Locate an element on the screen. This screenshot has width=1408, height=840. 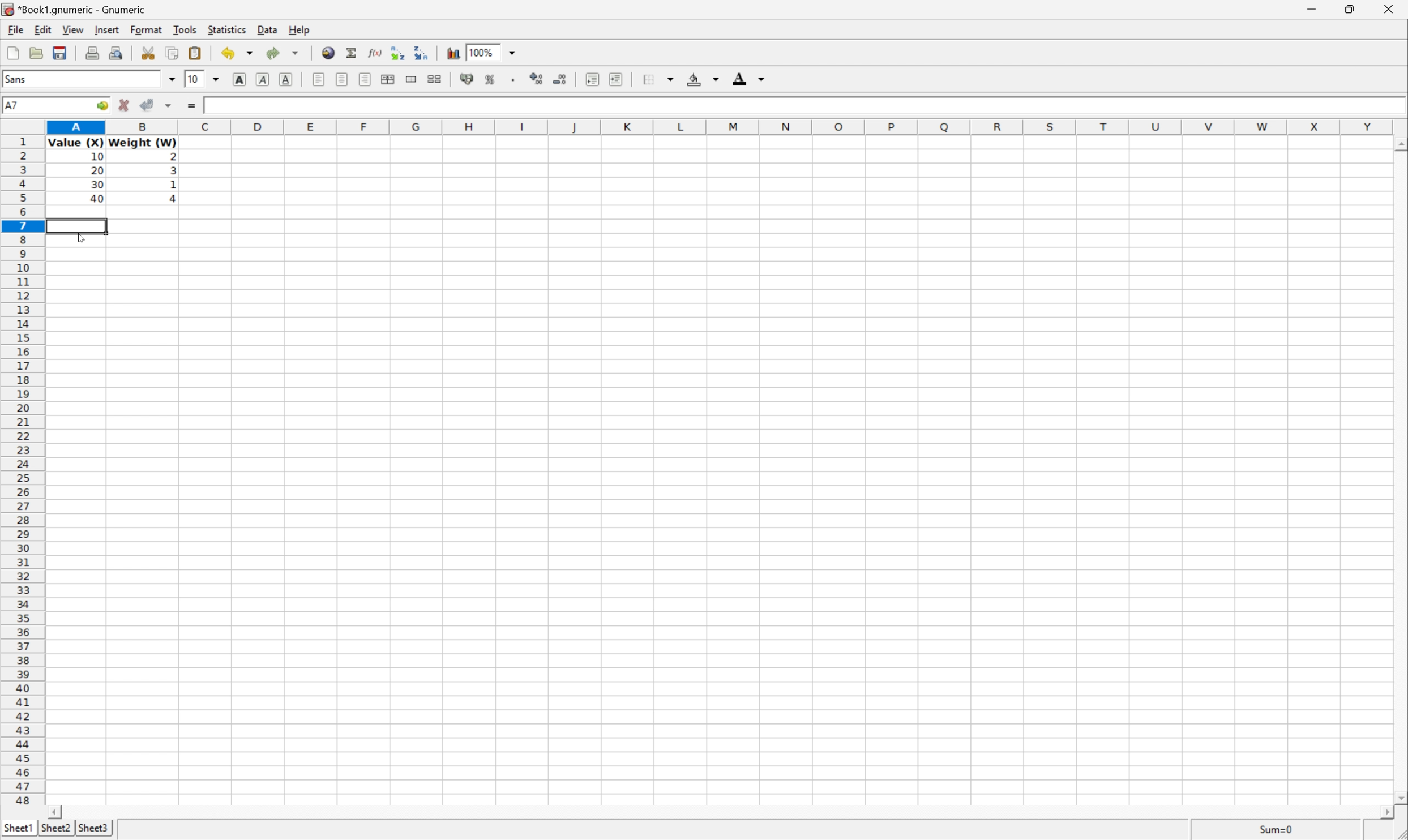
Scroll Down is located at coordinates (1399, 796).